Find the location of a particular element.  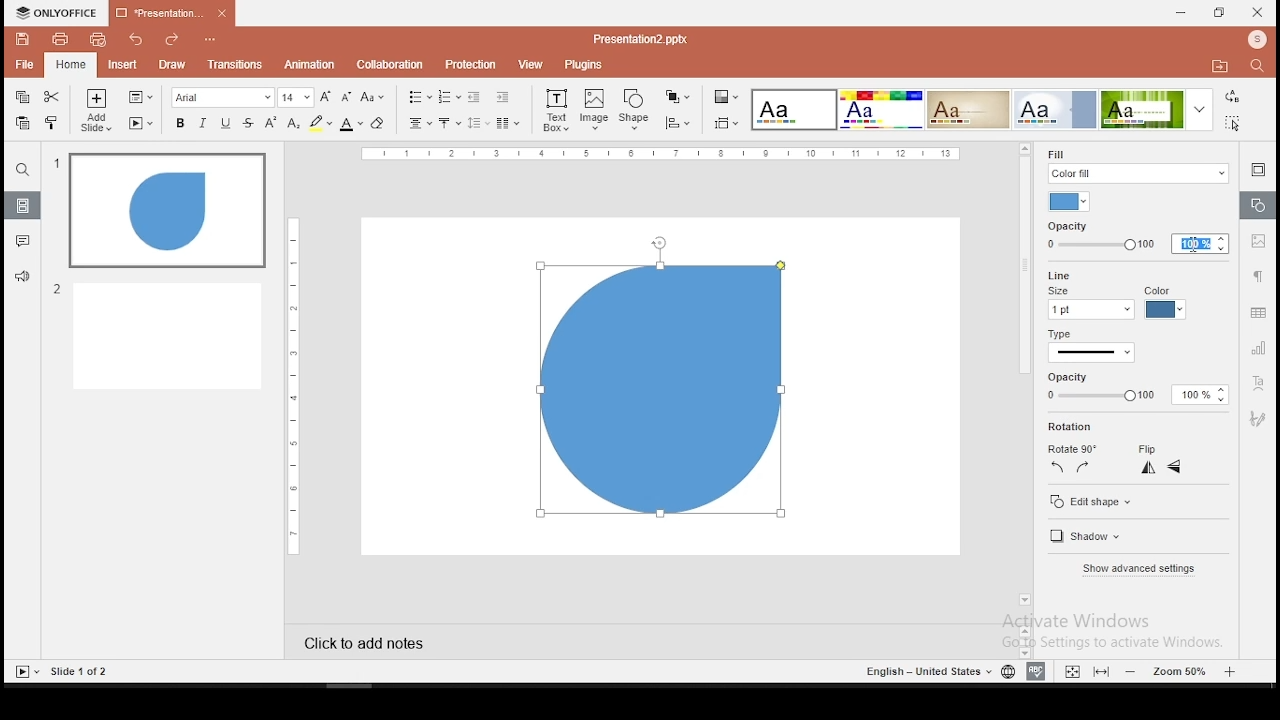

horizontal align is located at coordinates (418, 125).